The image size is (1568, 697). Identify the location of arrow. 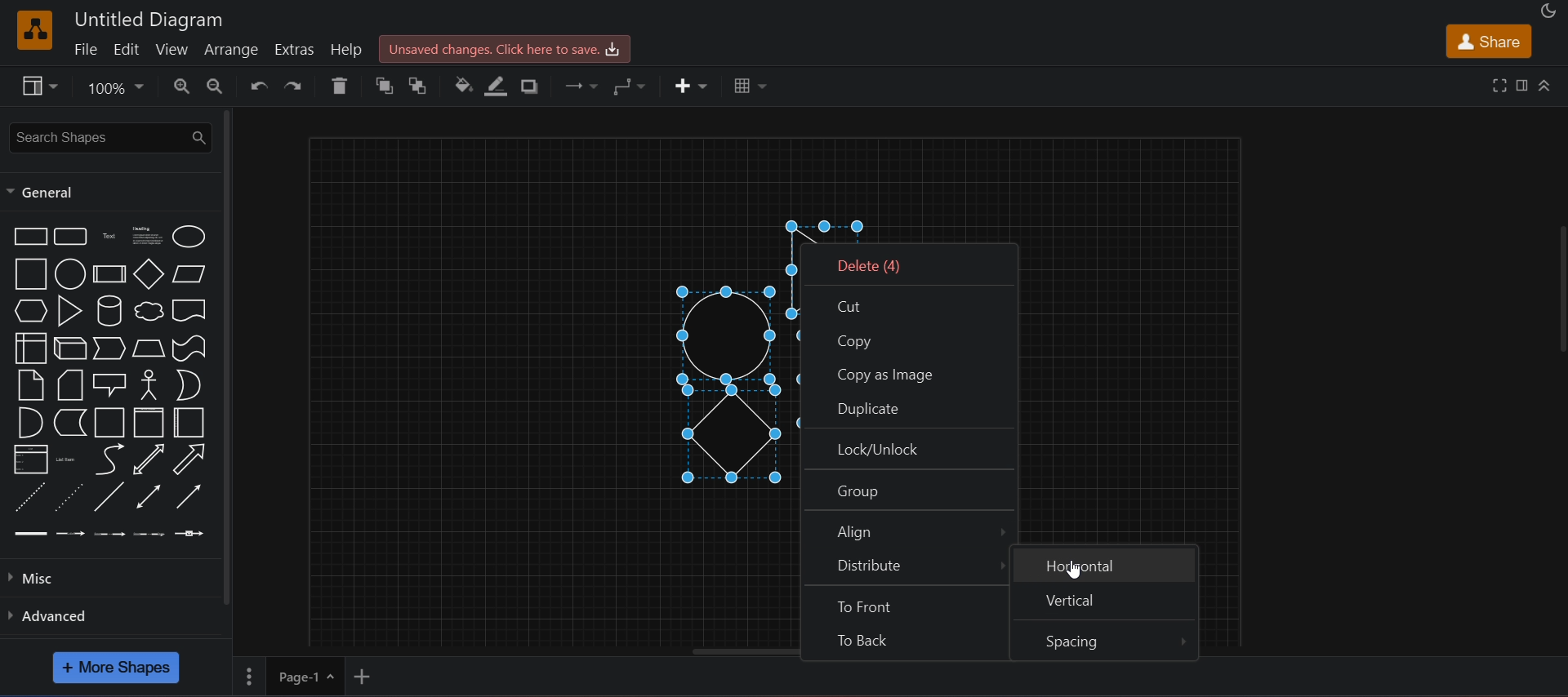
(189, 458).